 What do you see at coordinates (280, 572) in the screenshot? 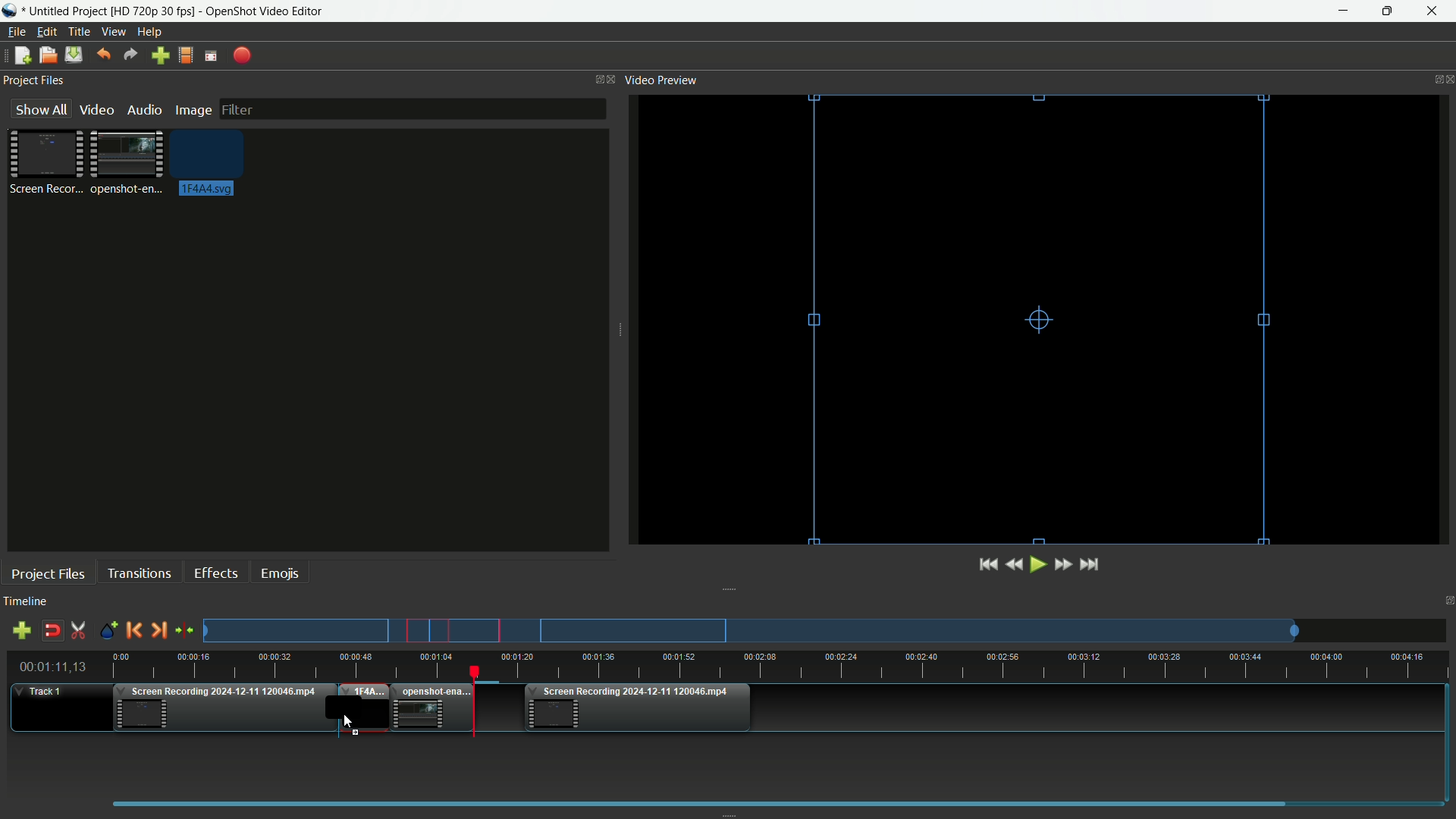
I see `Emojis` at bounding box center [280, 572].